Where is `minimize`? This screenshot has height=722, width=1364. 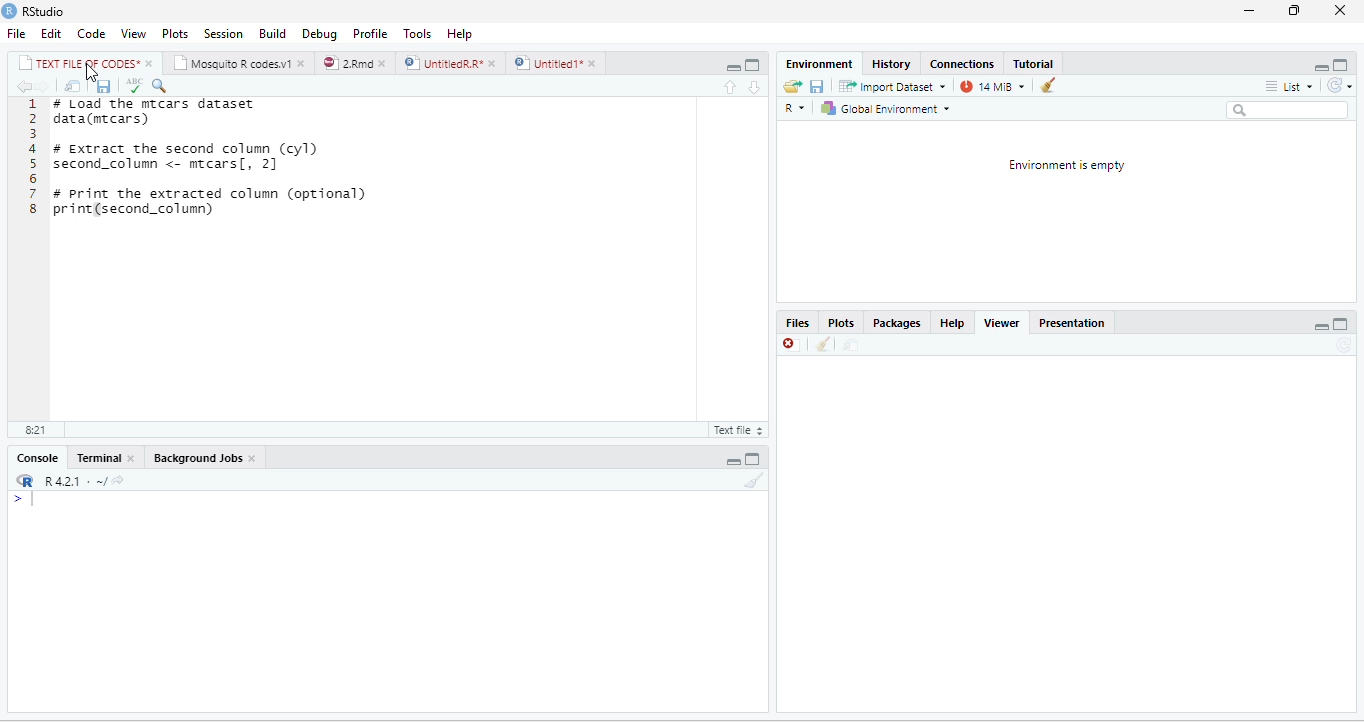
minimize is located at coordinates (1250, 13).